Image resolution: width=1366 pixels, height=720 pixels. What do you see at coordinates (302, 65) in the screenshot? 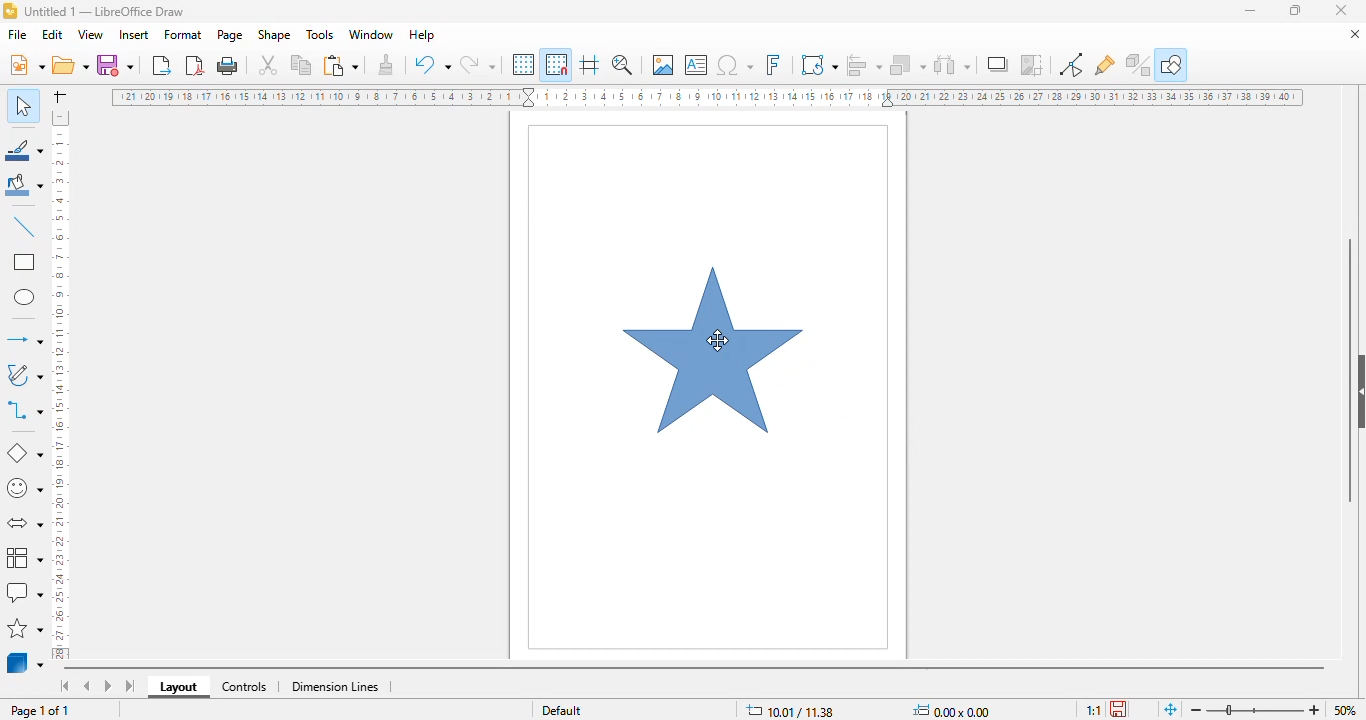
I see `copy` at bounding box center [302, 65].